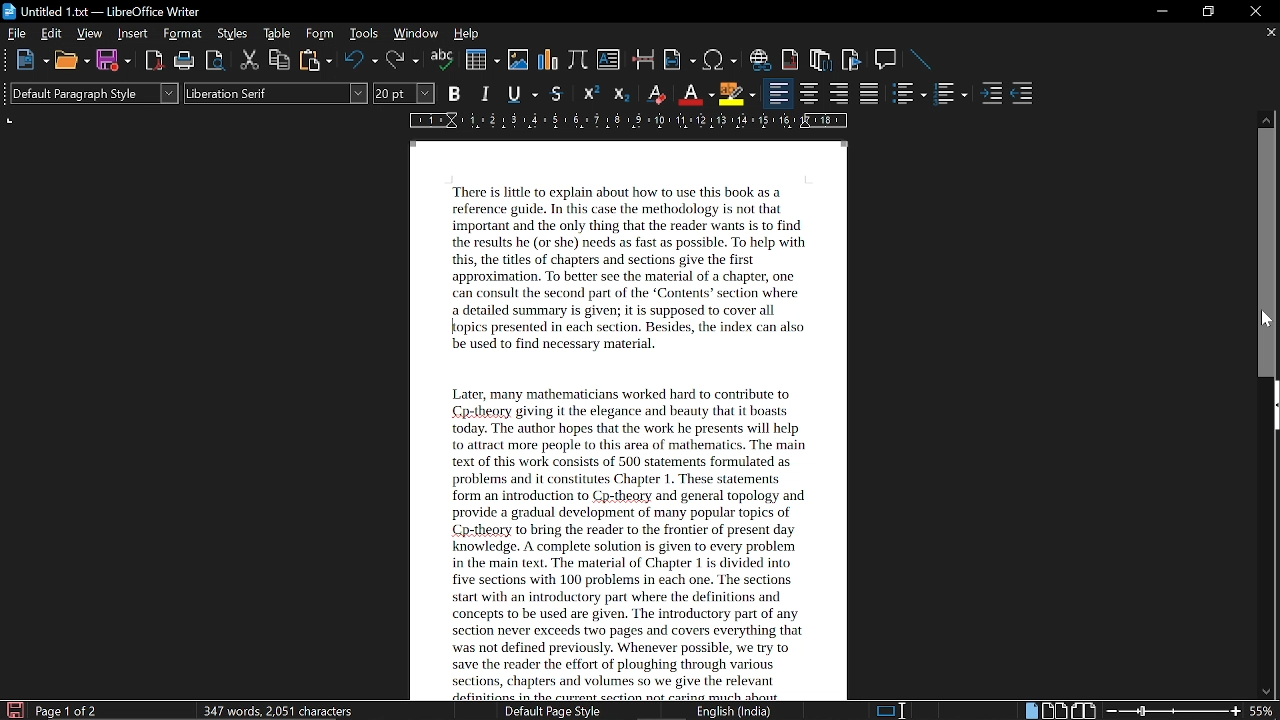  I want to click on help, so click(466, 34).